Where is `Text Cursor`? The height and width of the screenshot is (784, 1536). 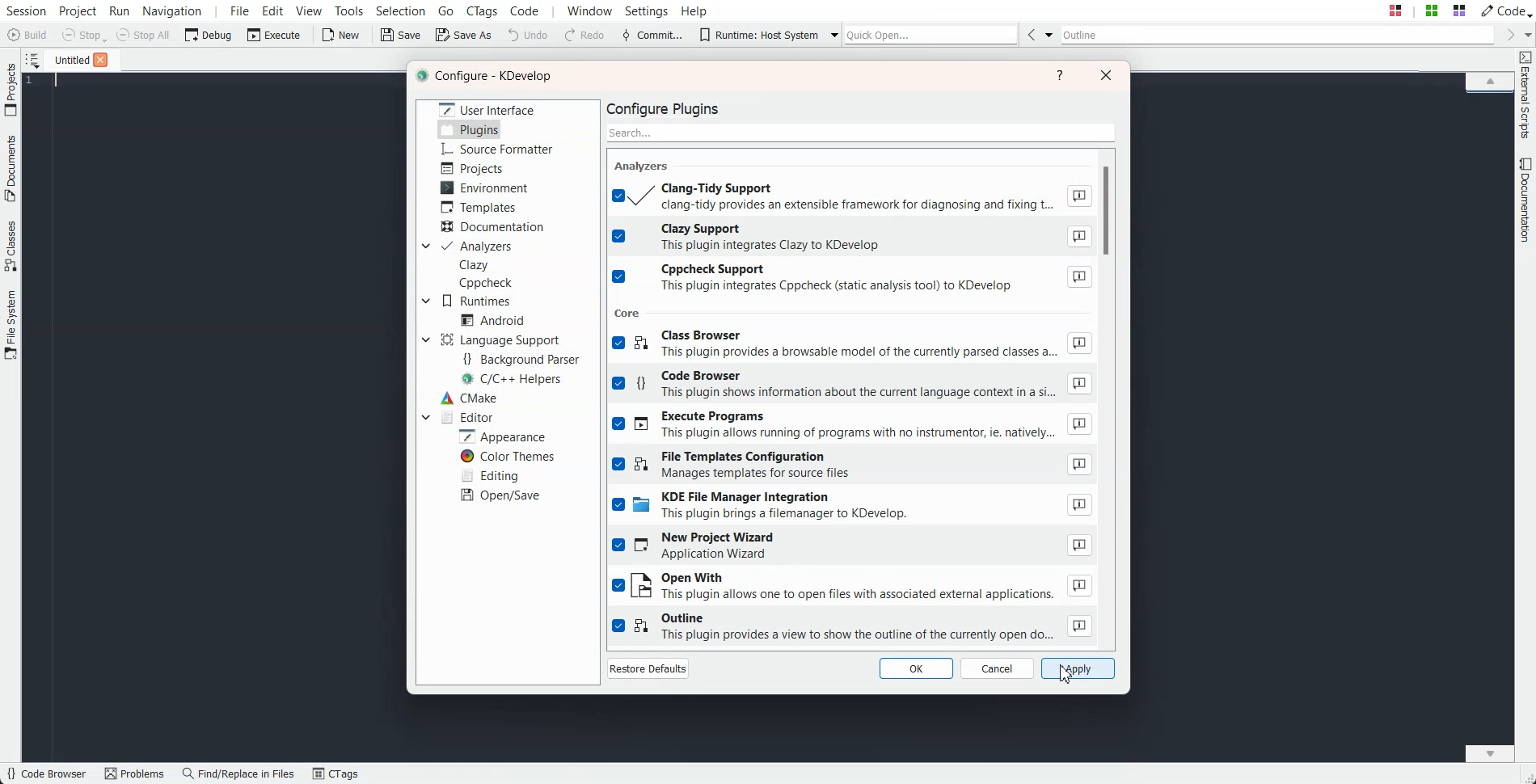 Text Cursor is located at coordinates (58, 81).